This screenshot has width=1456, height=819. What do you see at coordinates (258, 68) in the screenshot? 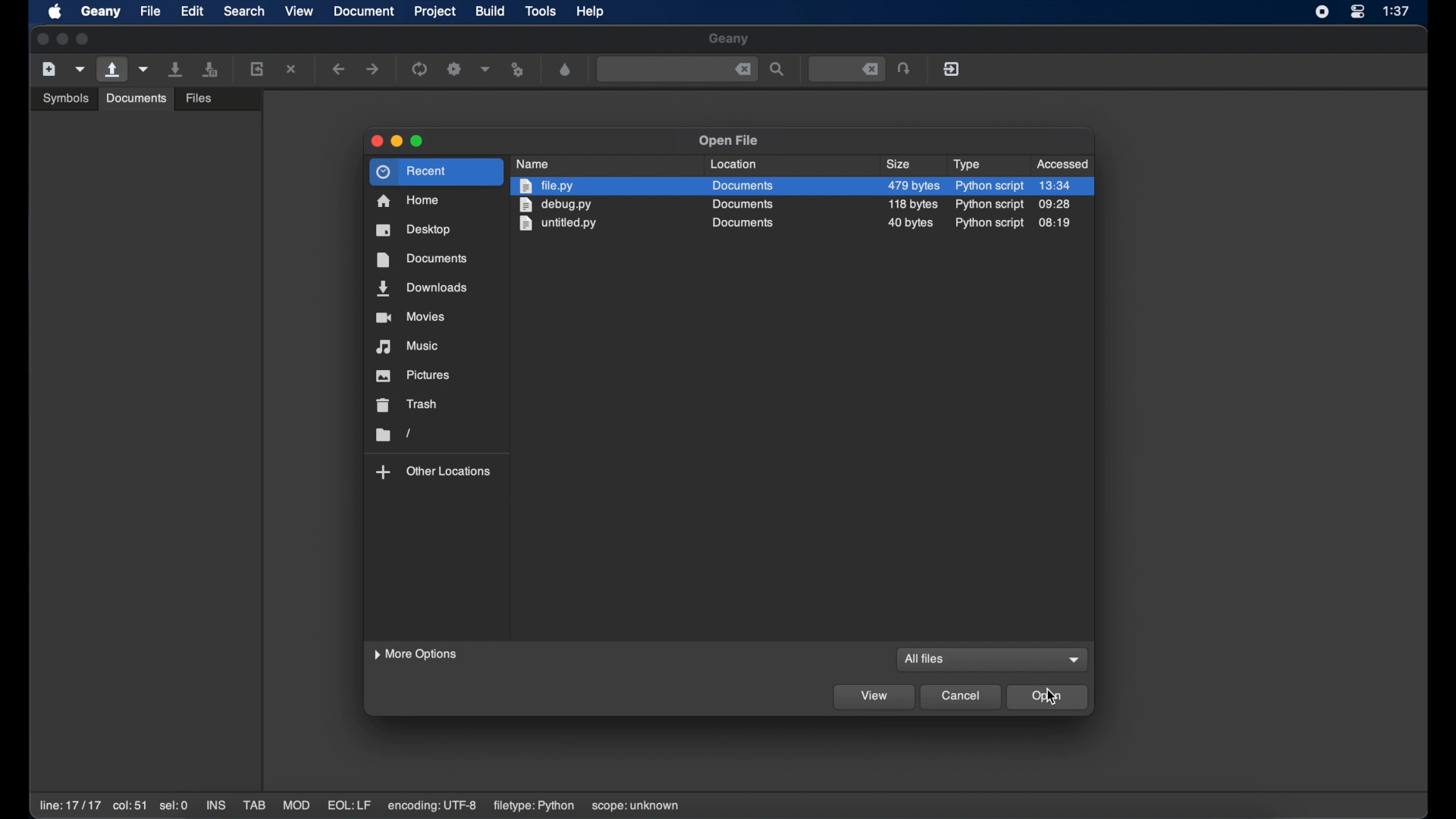
I see `reload the current file from disk` at bounding box center [258, 68].